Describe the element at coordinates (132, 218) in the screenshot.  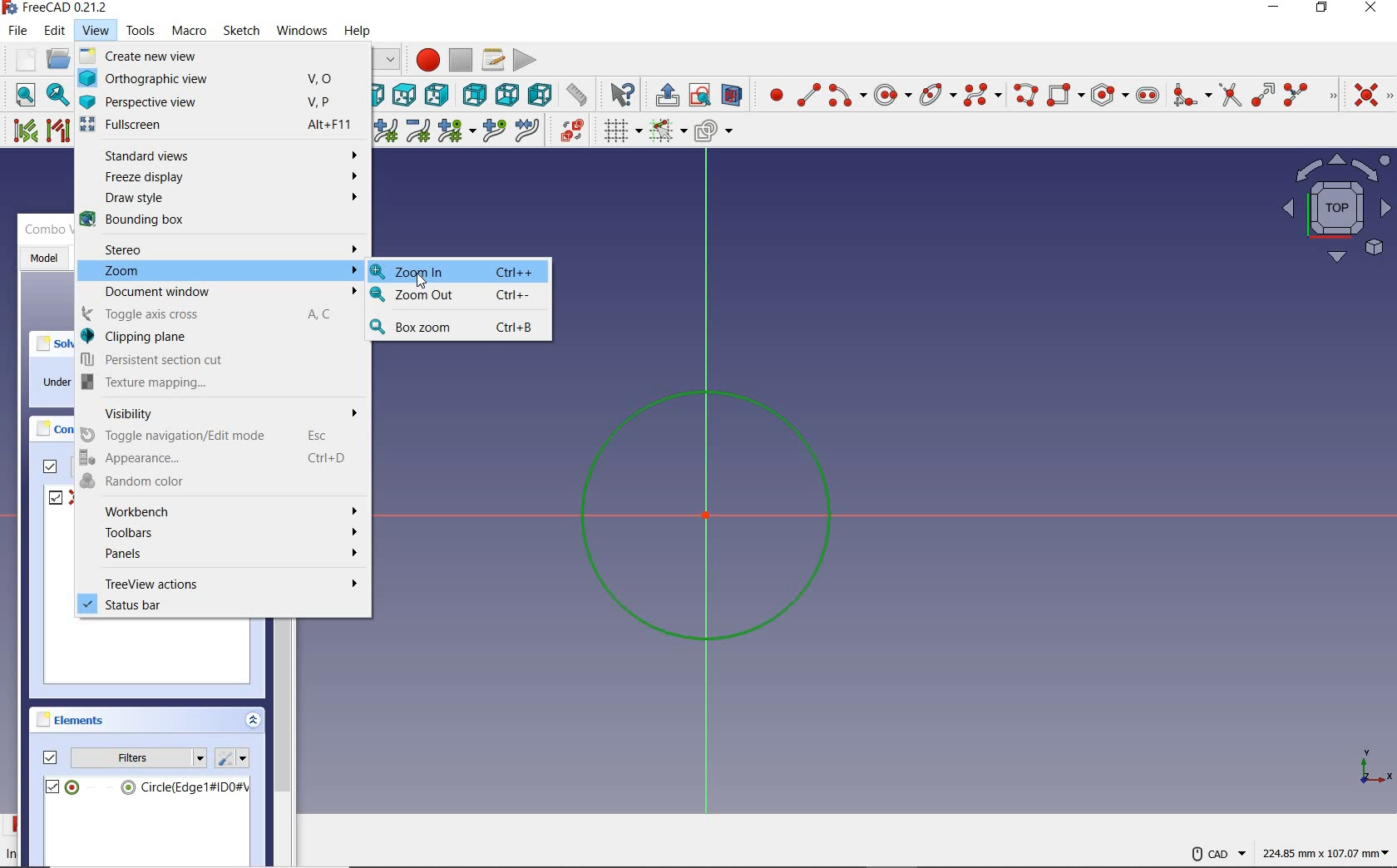
I see `Bounding box` at that location.